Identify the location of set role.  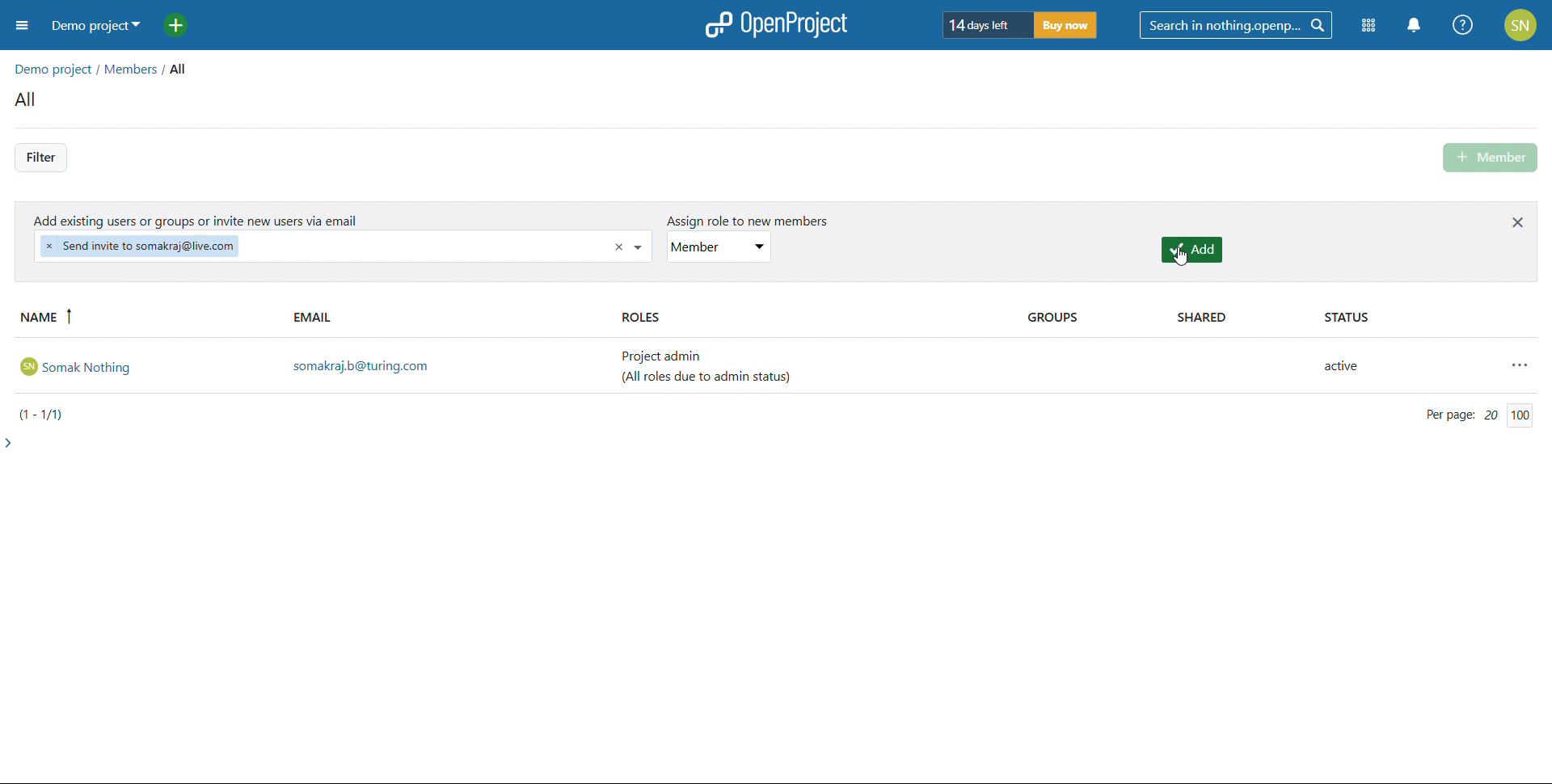
(719, 247).